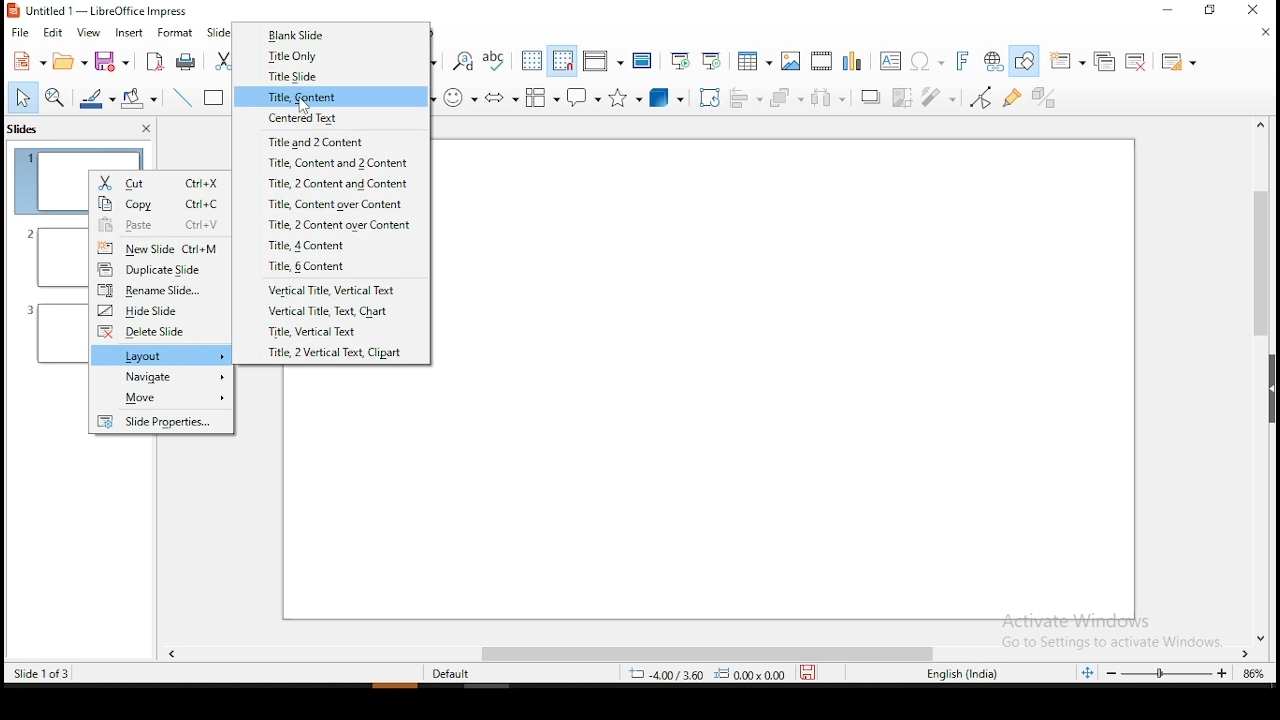  I want to click on arrange, so click(786, 97).